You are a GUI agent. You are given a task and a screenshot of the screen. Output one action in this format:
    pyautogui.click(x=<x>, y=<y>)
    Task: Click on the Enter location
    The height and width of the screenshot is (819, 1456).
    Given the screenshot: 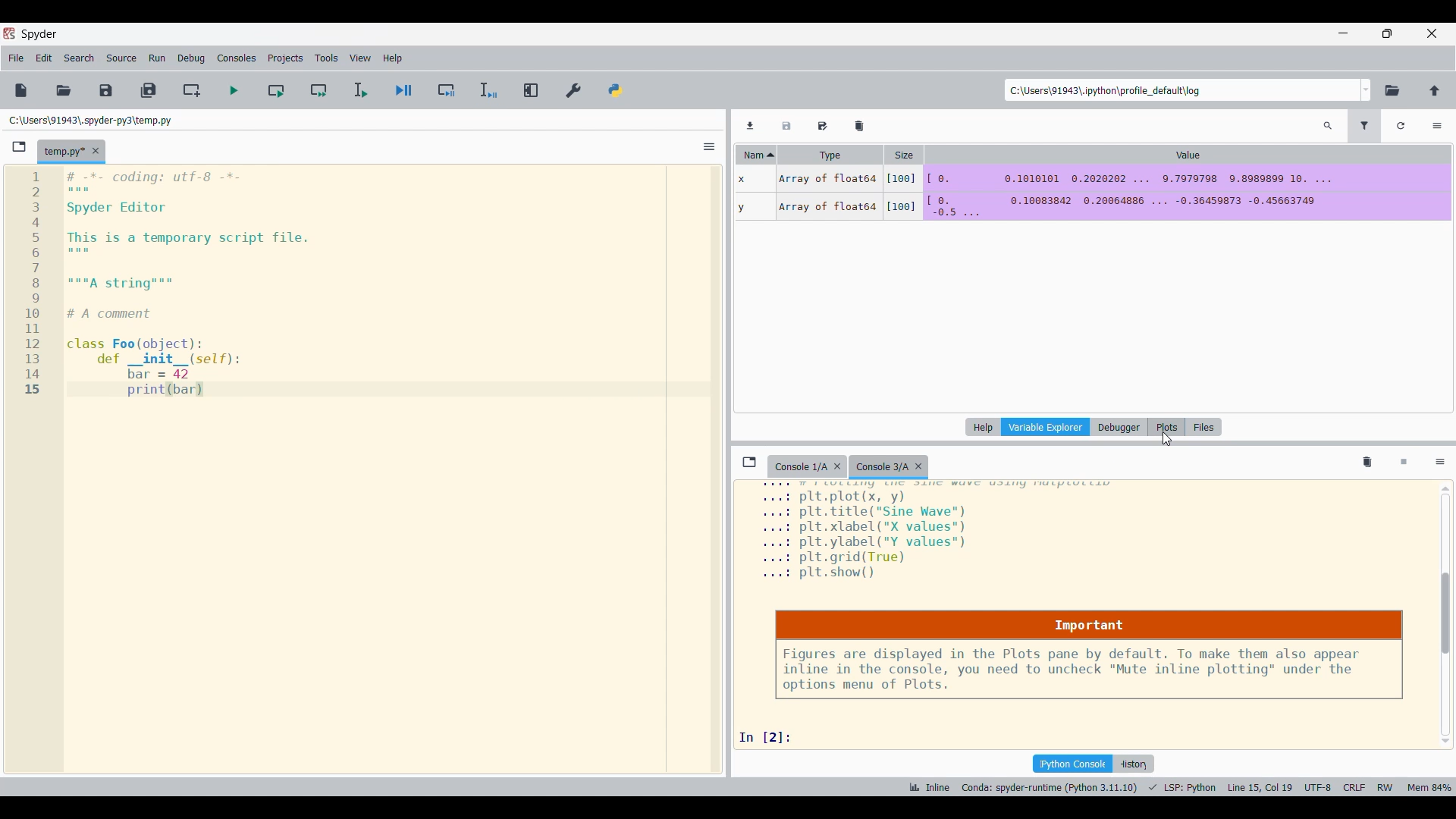 What is the action you would take?
    pyautogui.click(x=1182, y=90)
    